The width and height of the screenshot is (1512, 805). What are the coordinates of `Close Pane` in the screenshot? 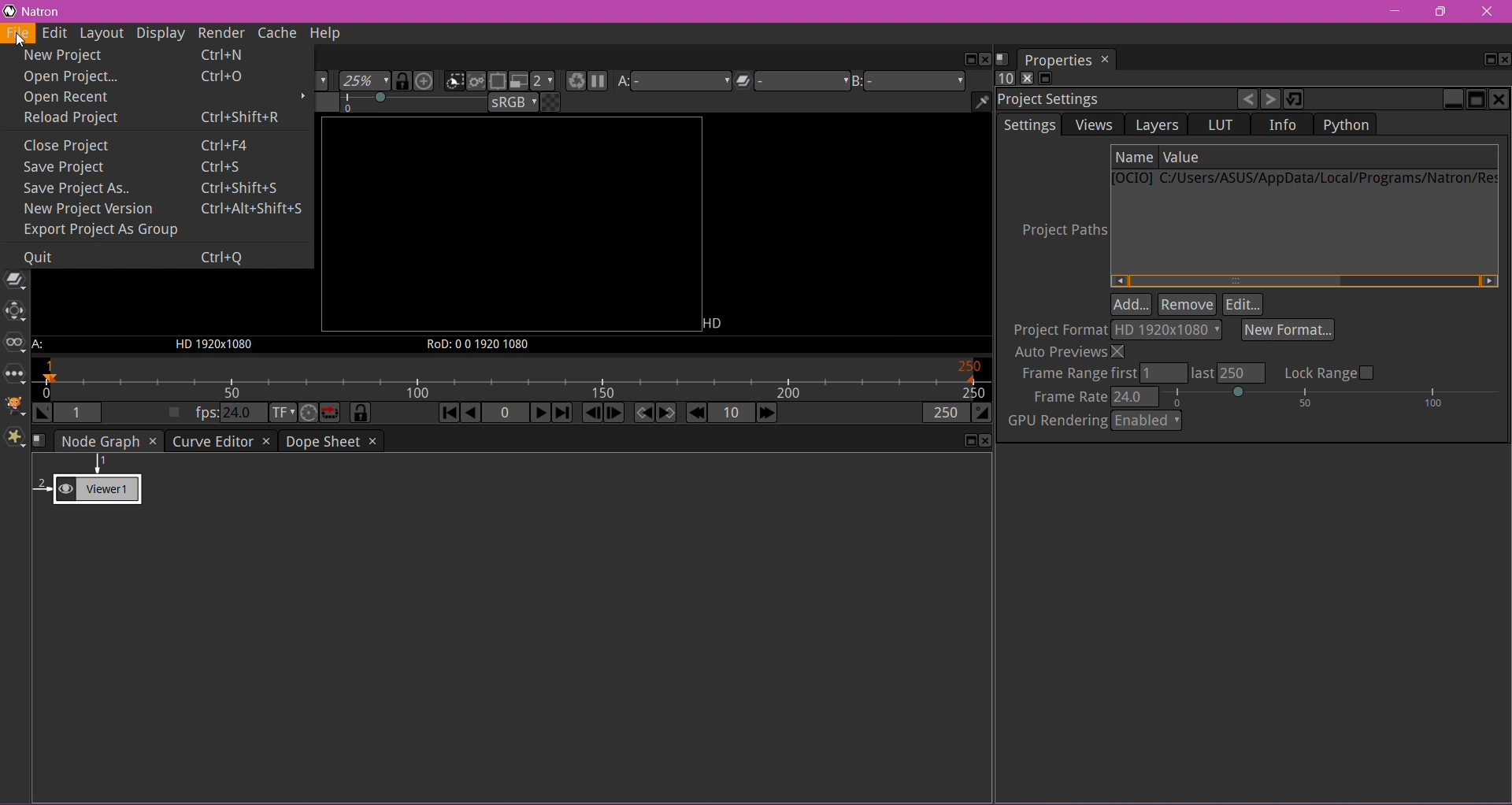 It's located at (1503, 59).